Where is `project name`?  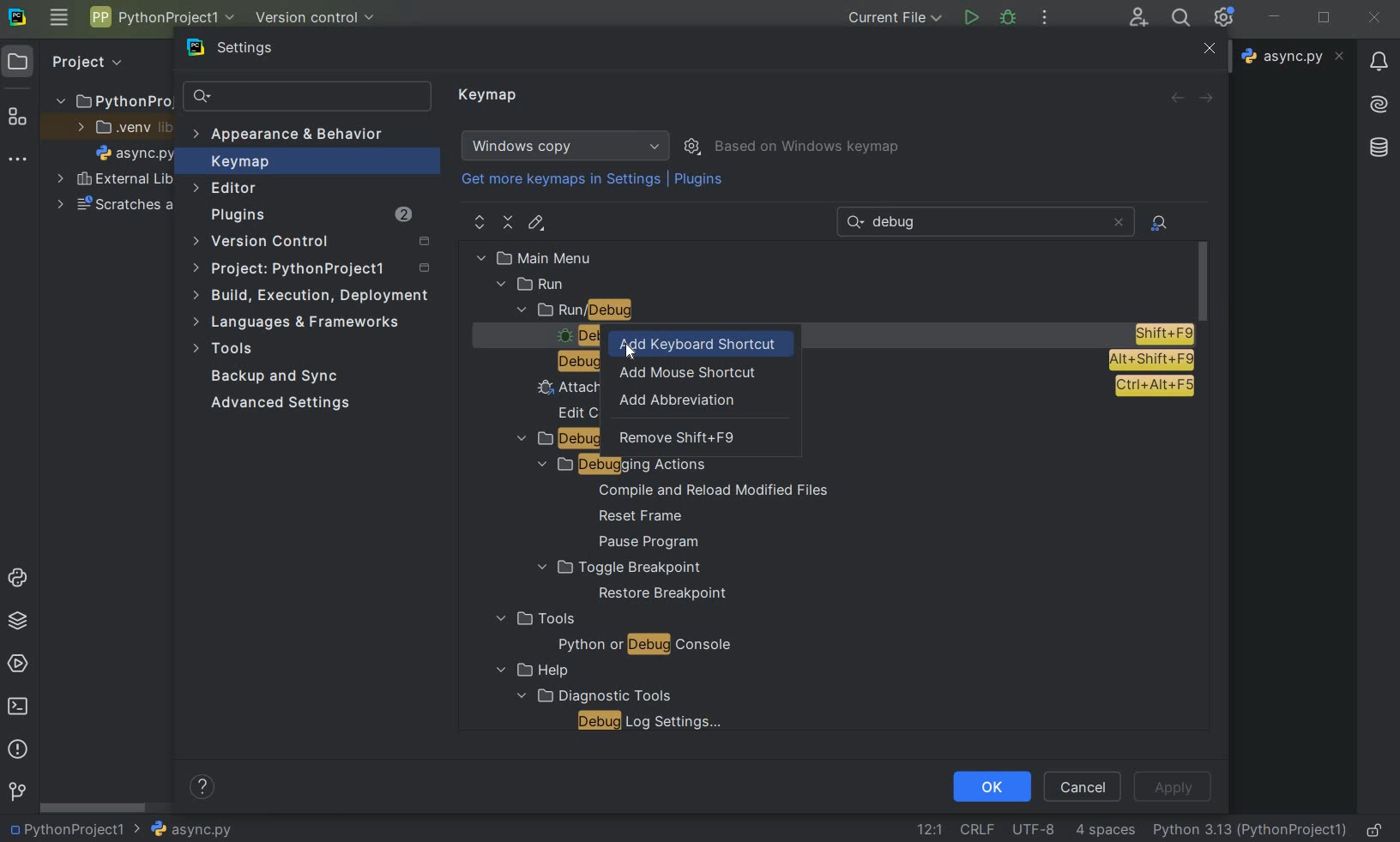 project name is located at coordinates (64, 829).